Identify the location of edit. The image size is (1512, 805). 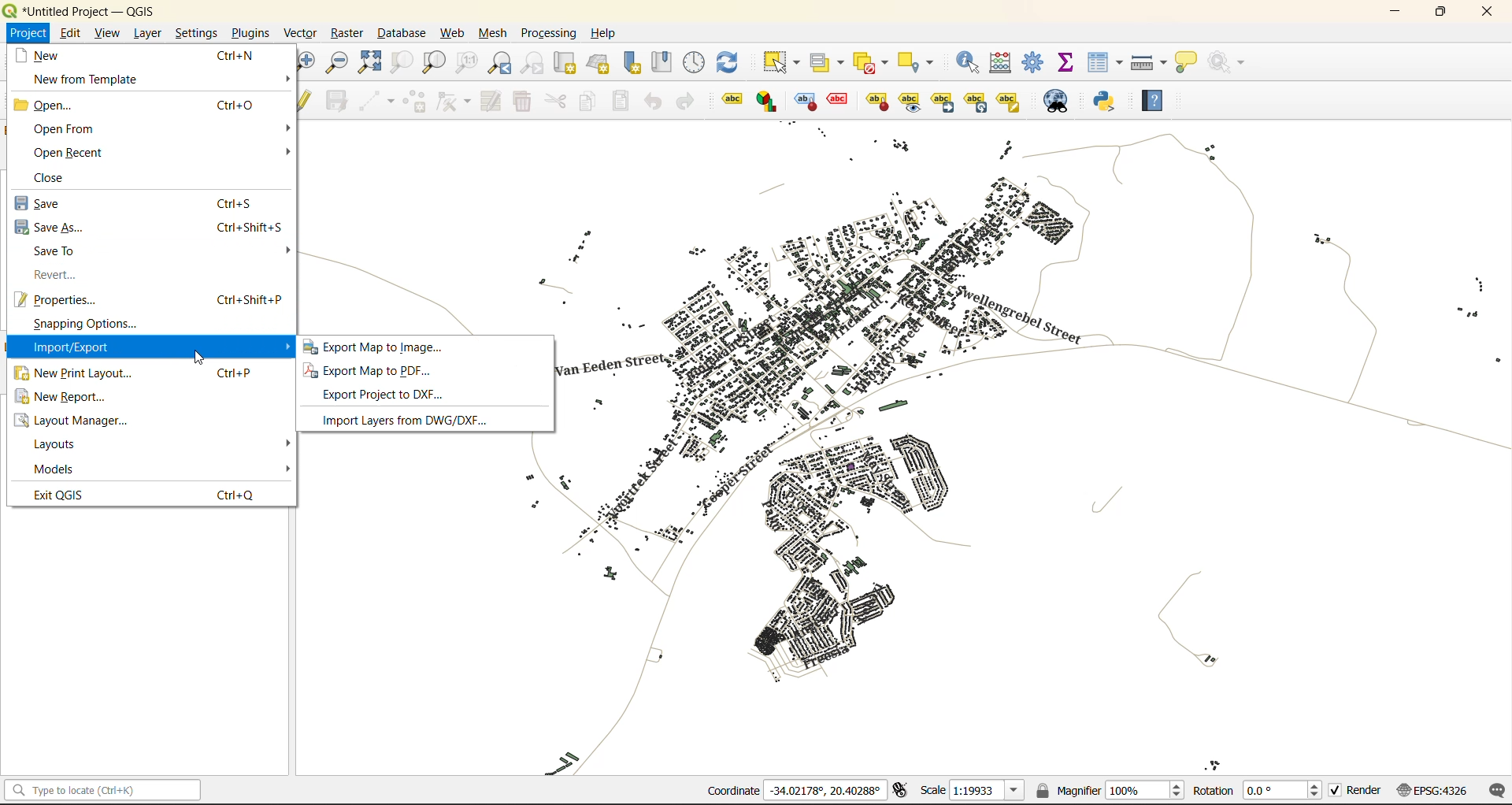
(67, 32).